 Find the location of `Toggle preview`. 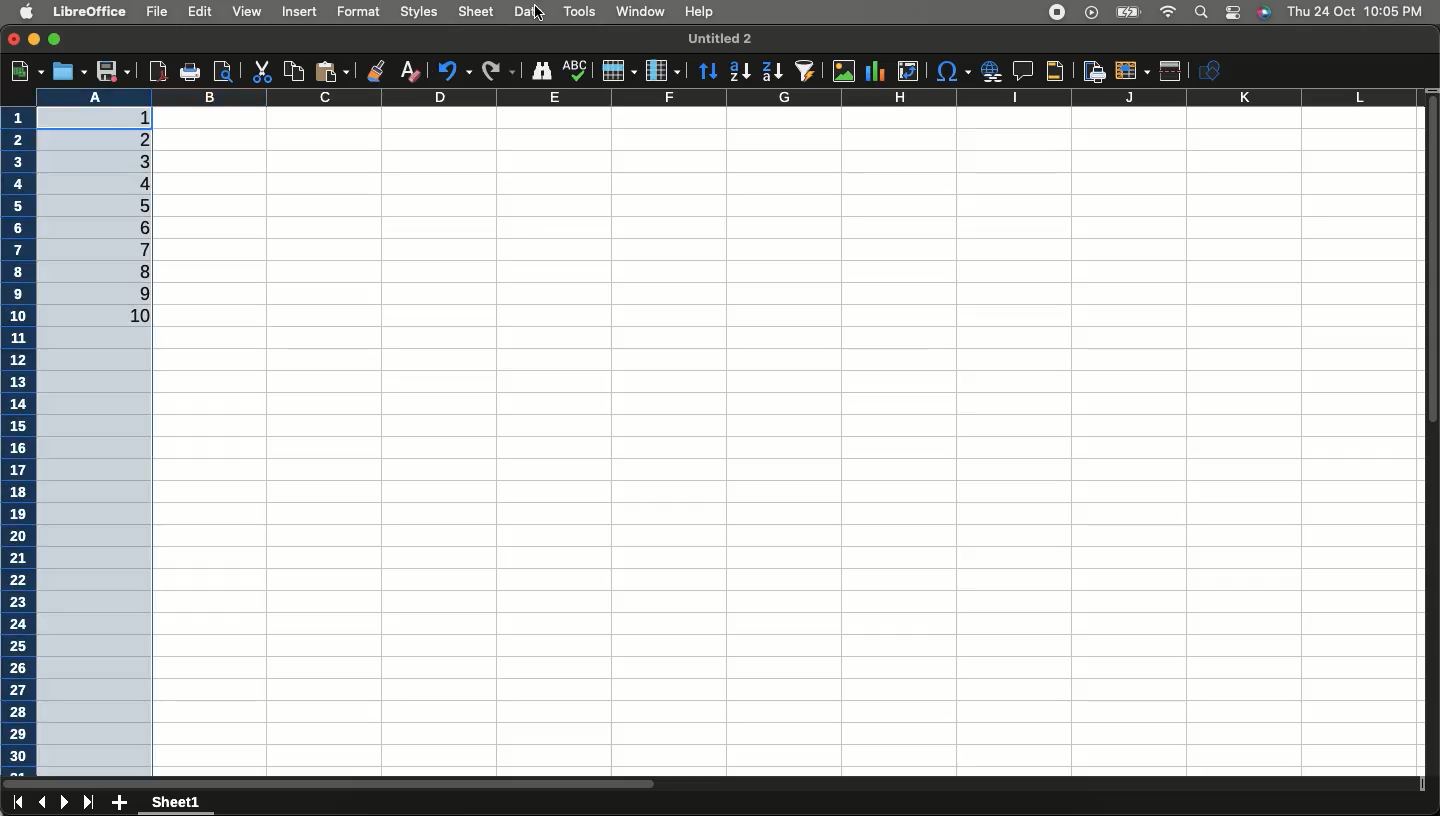

Toggle preview is located at coordinates (222, 71).